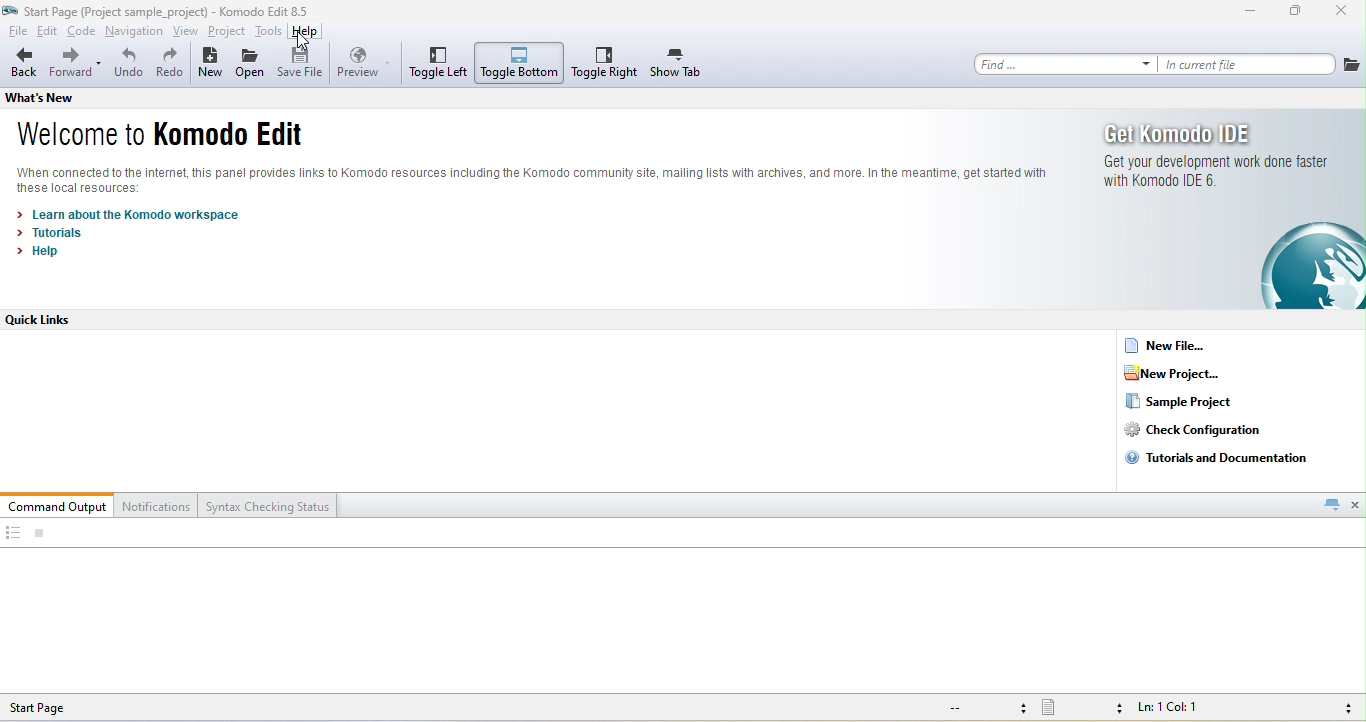 The height and width of the screenshot is (722, 1366). I want to click on file, so click(15, 32).